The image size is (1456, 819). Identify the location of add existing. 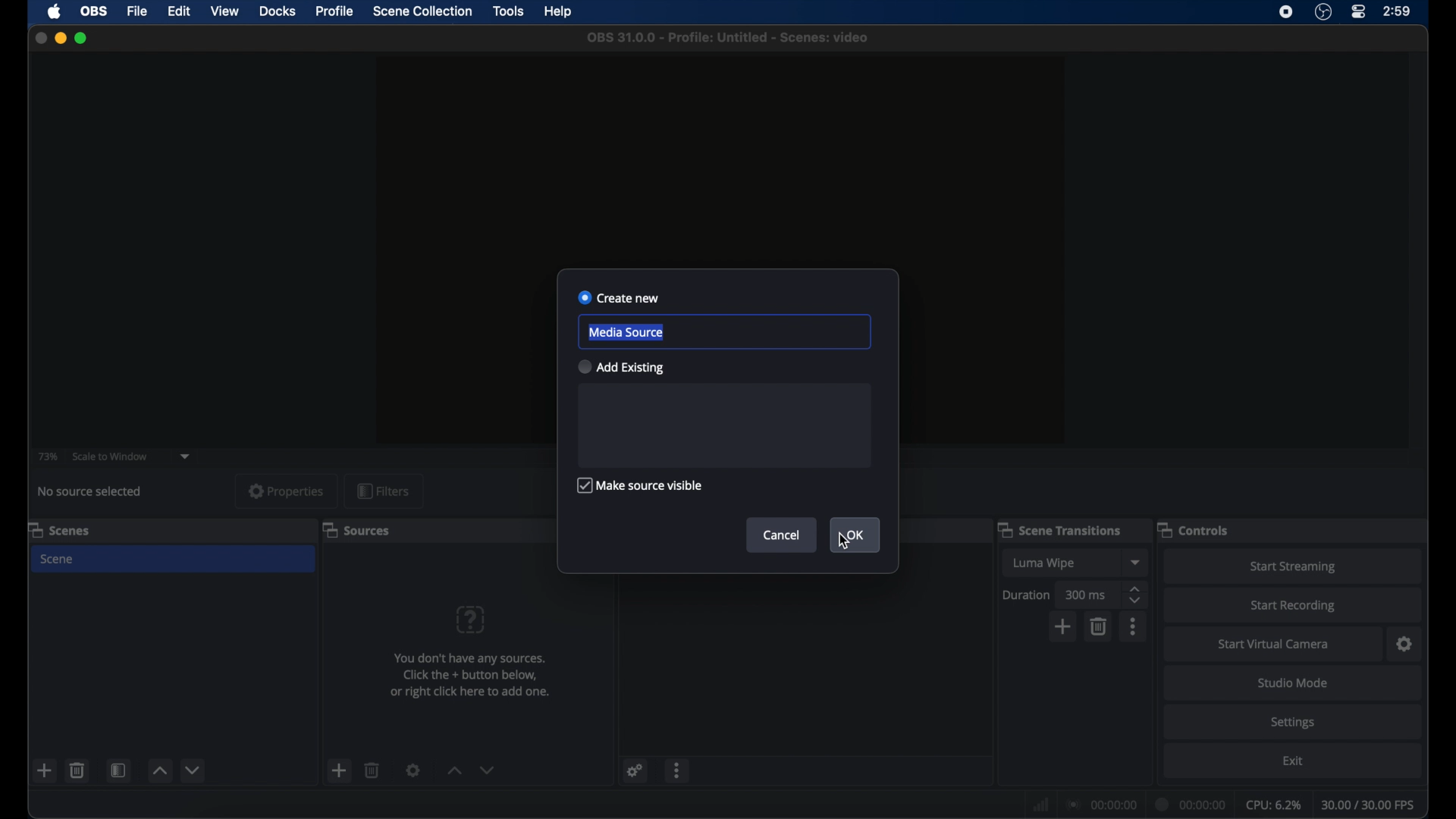
(620, 367).